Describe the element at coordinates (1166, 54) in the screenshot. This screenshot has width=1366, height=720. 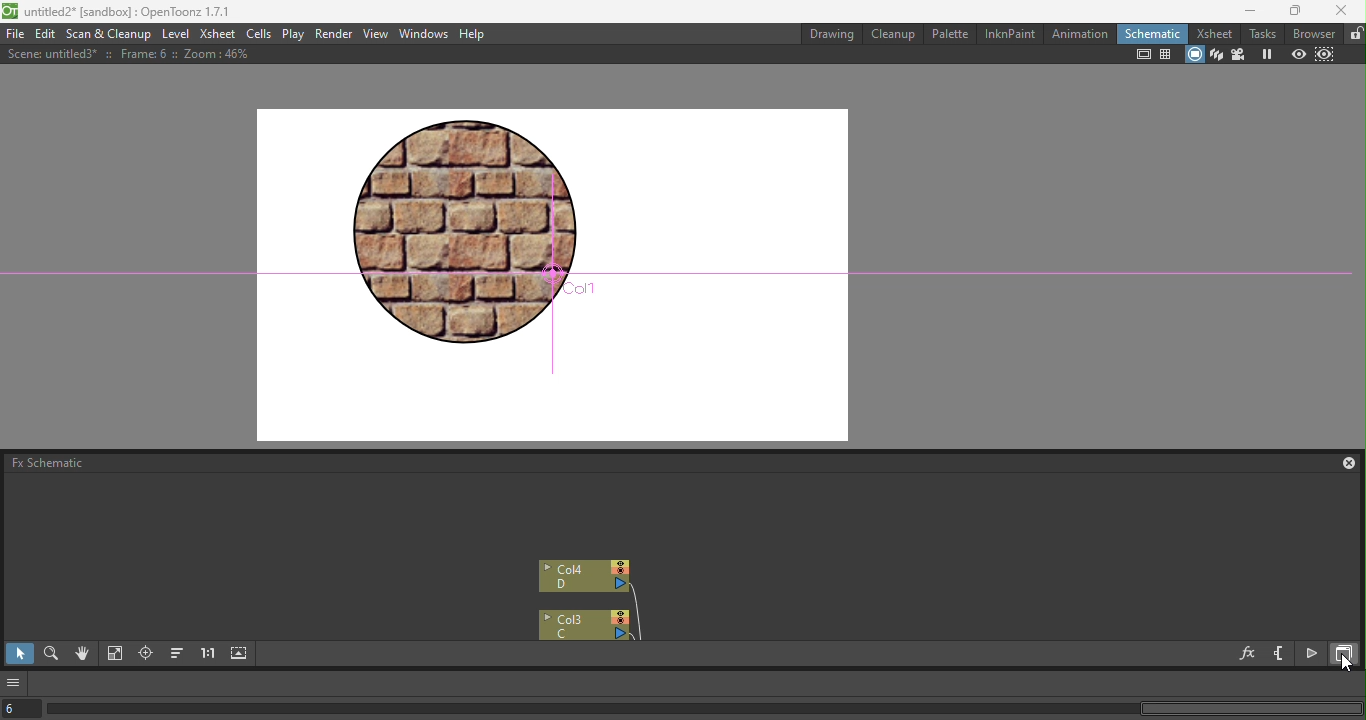
I see `Field guide` at that location.